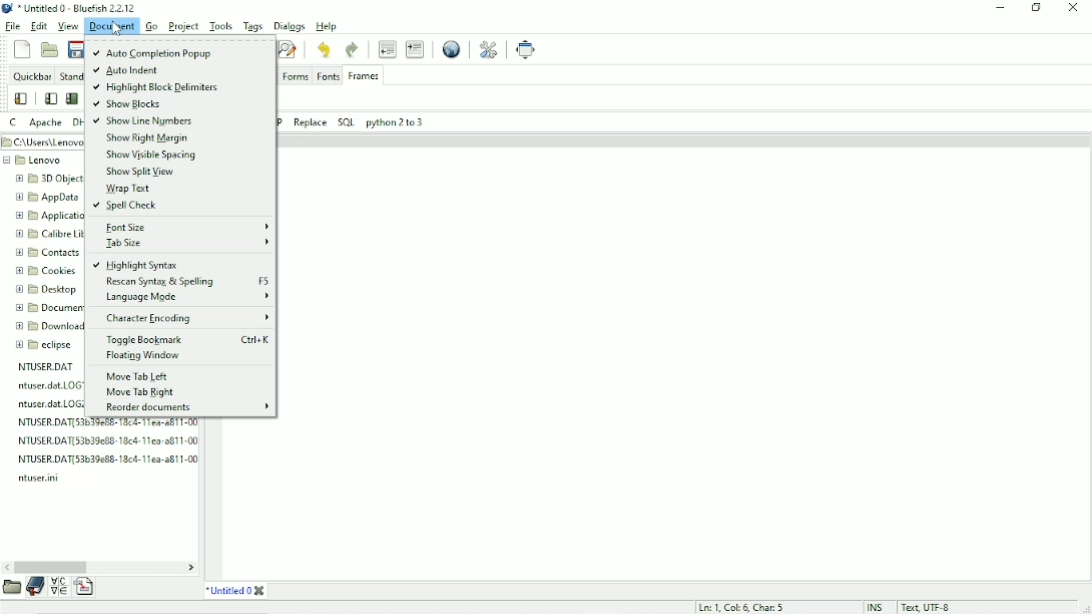  I want to click on Indent, so click(416, 50).